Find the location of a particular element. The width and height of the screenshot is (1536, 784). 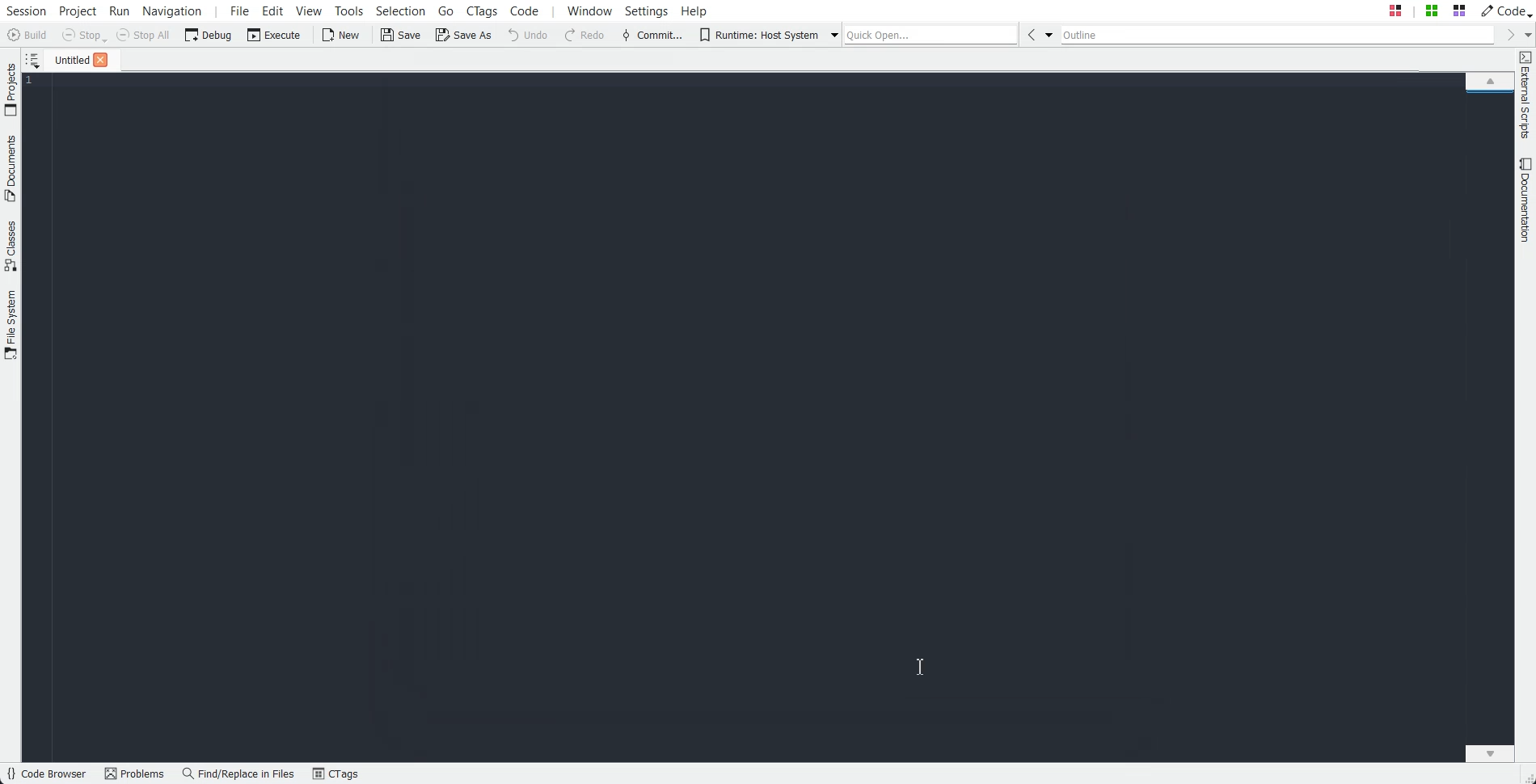

Undo is located at coordinates (528, 34).